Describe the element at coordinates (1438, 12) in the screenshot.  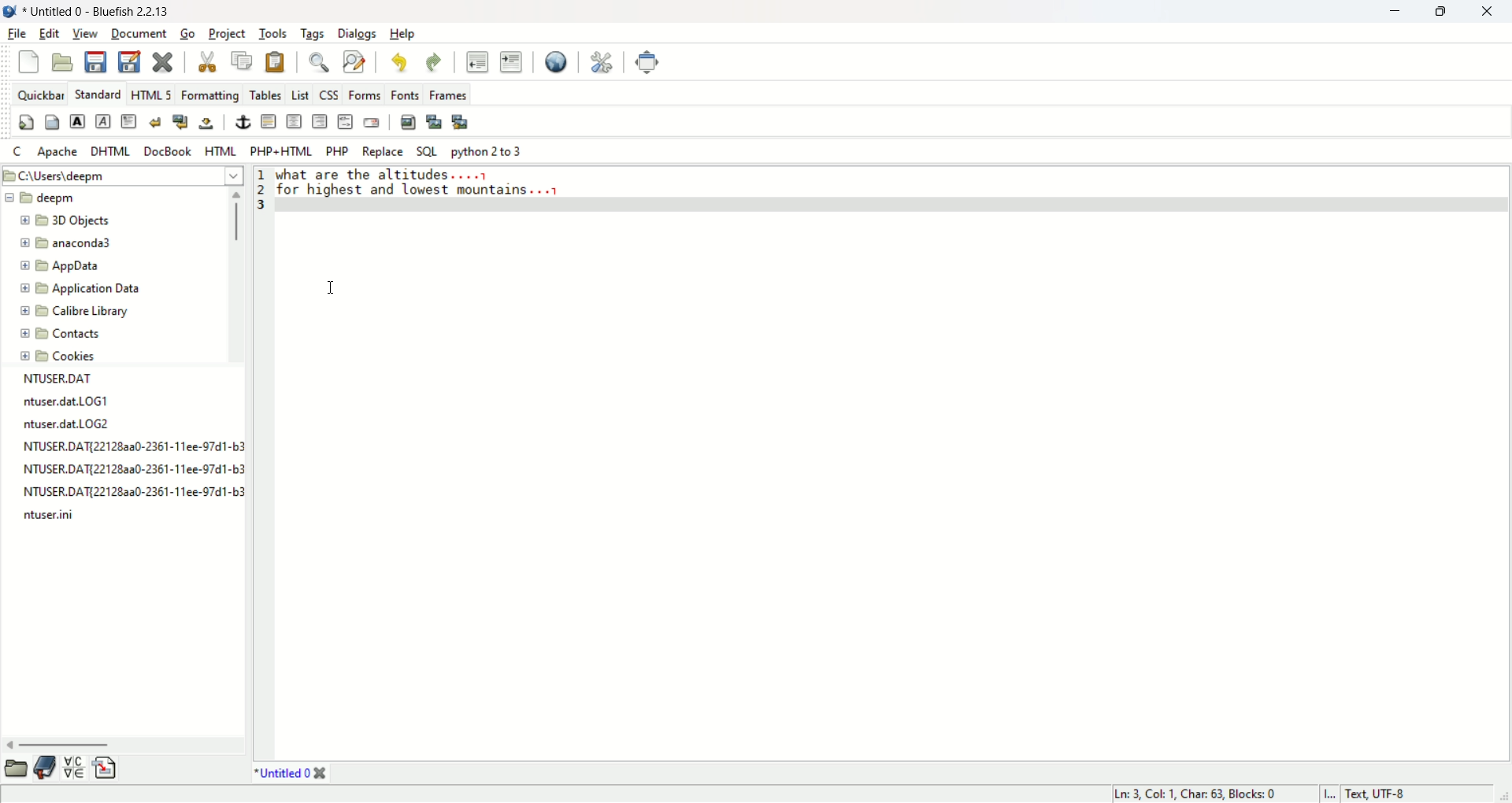
I see `maximize` at that location.